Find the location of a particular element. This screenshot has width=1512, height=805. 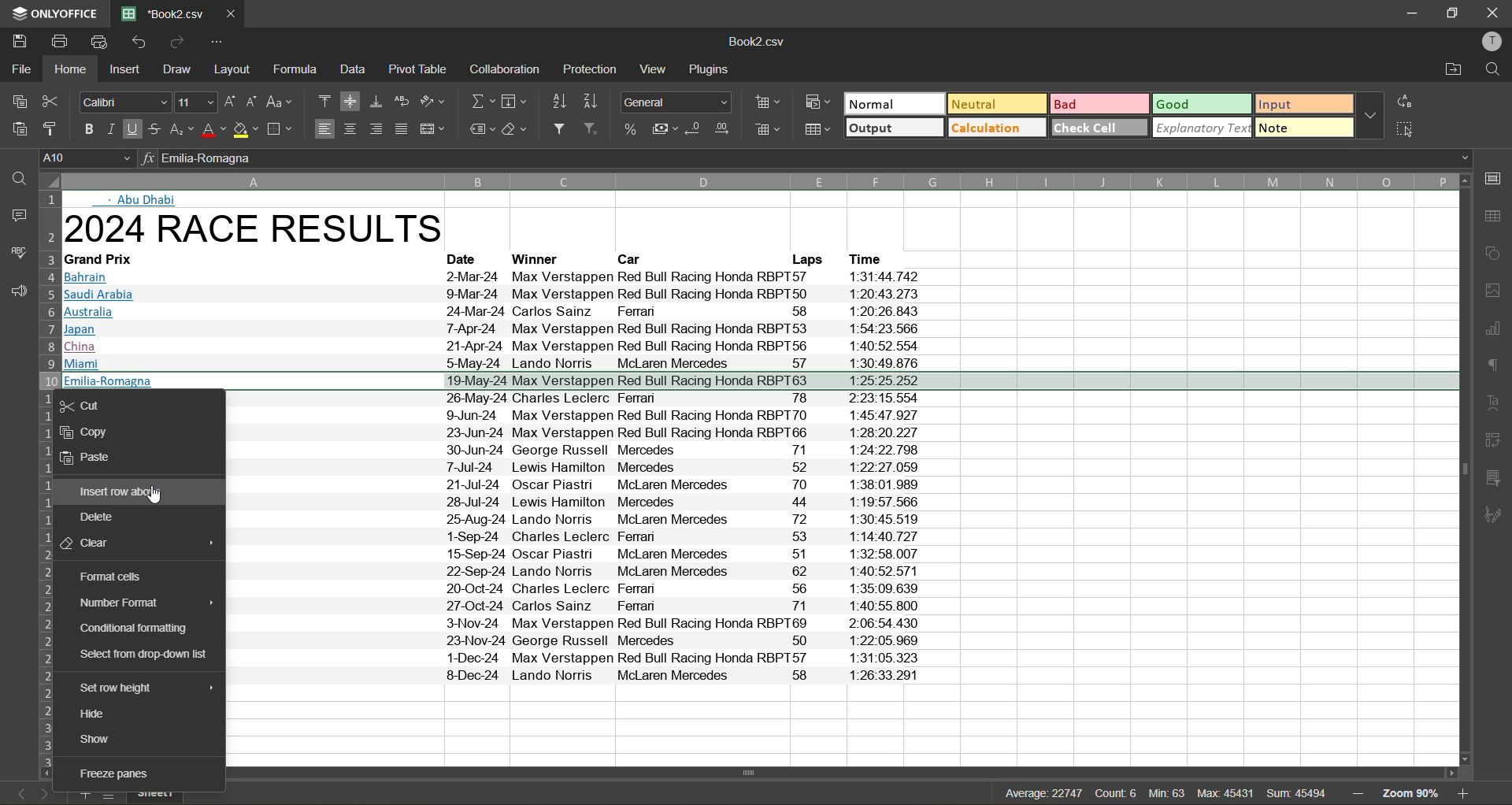

japan [-Apr-24 Max Verstappen Red Bull Racing Honda RBP 153 1:54:23.566 is located at coordinates (495, 332).